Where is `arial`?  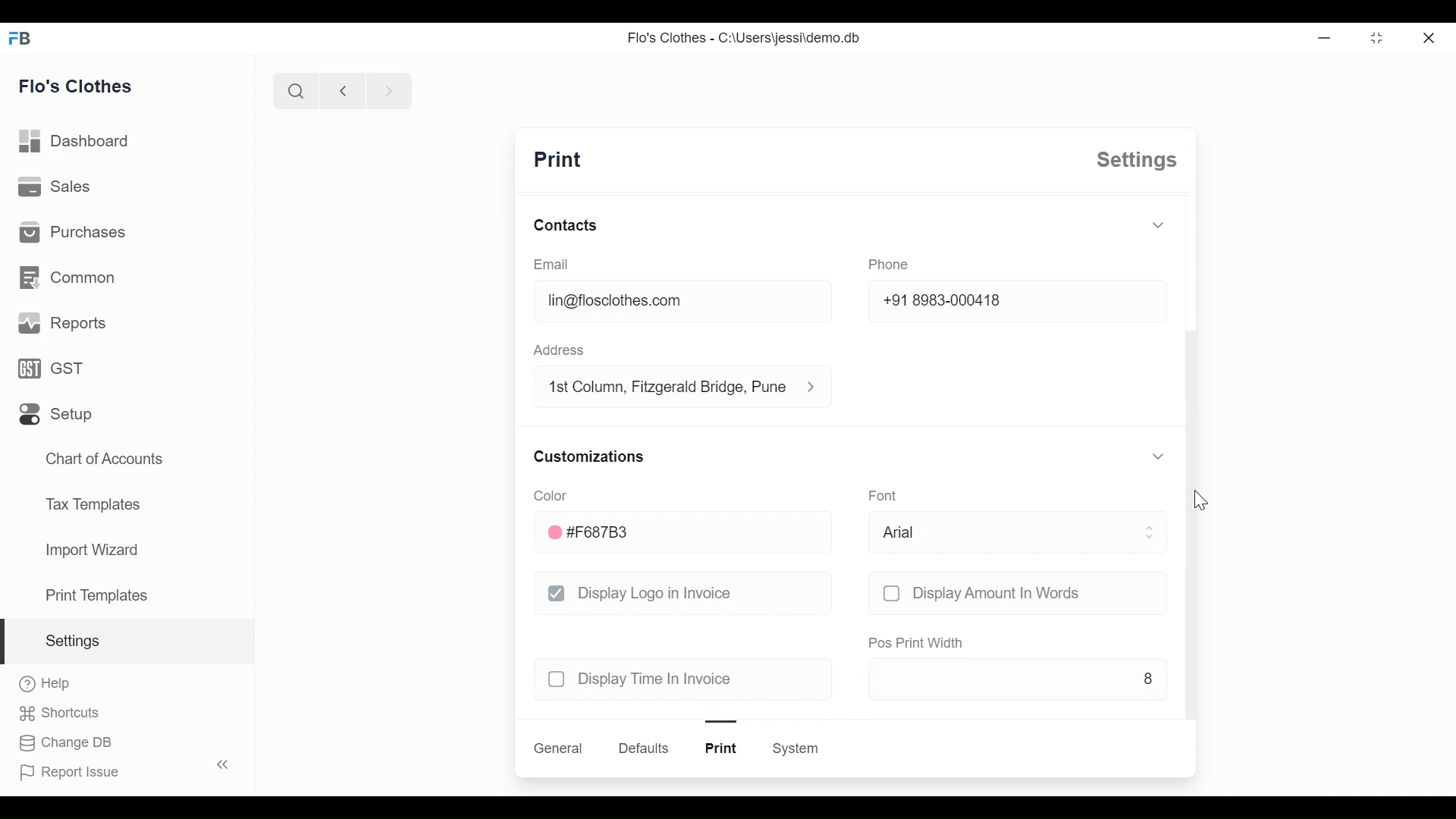
arial is located at coordinates (1018, 532).